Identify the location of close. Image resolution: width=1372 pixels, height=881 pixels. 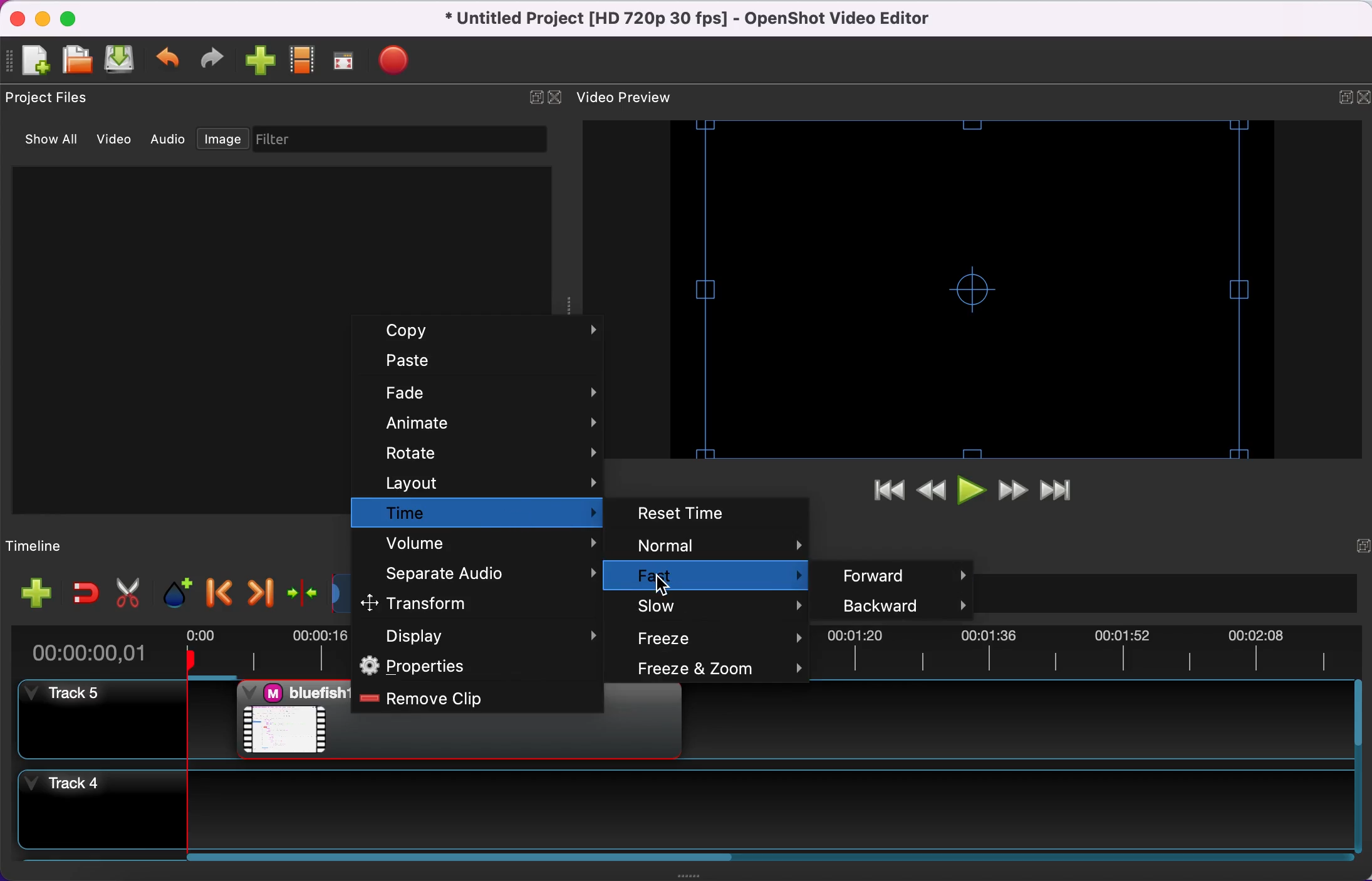
(1363, 98).